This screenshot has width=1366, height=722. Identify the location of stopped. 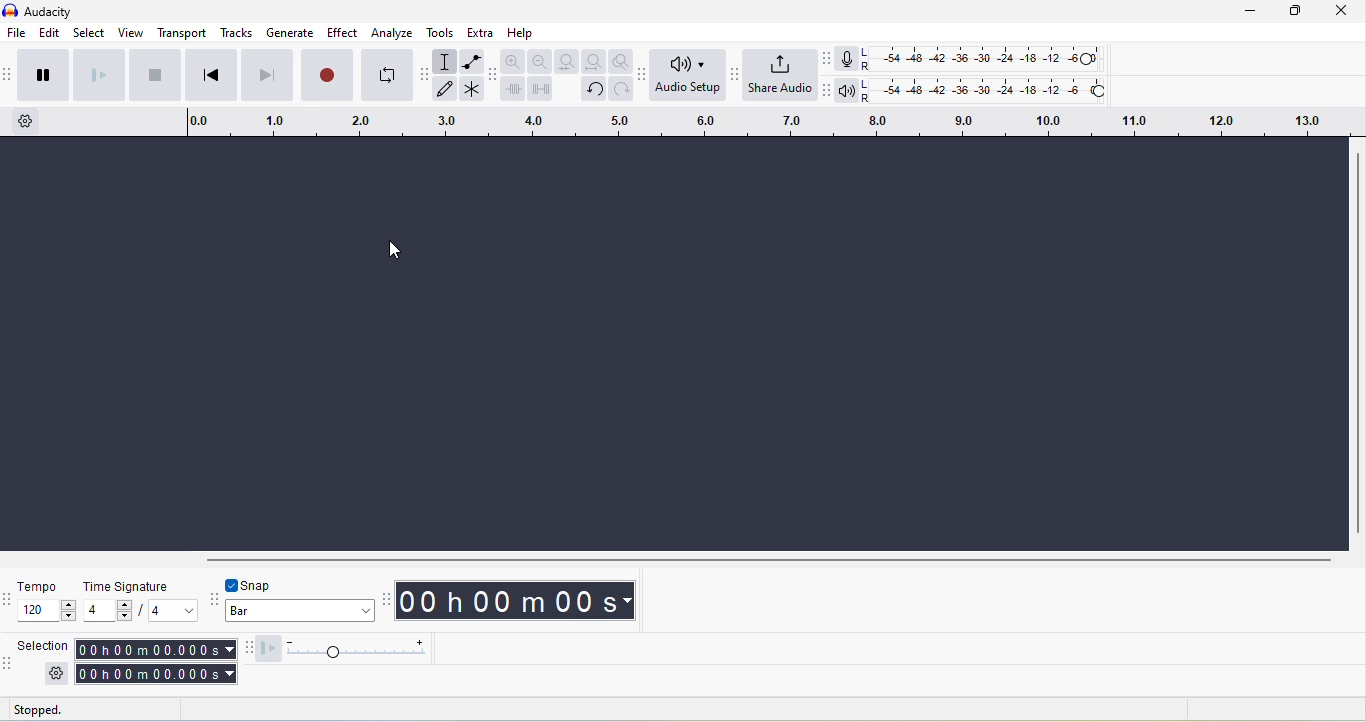
(62, 711).